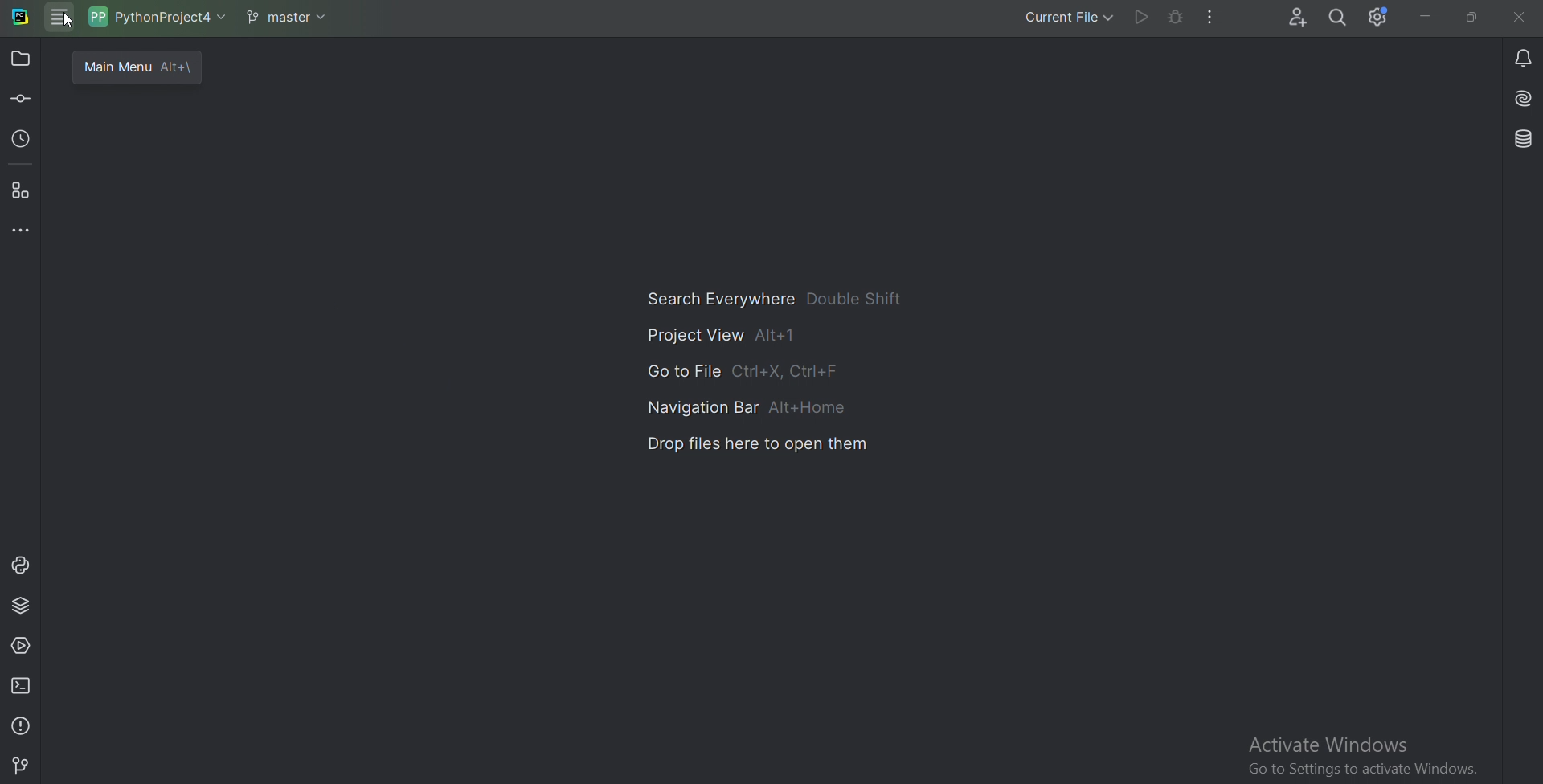 The image size is (1543, 784). I want to click on Git, so click(22, 763).